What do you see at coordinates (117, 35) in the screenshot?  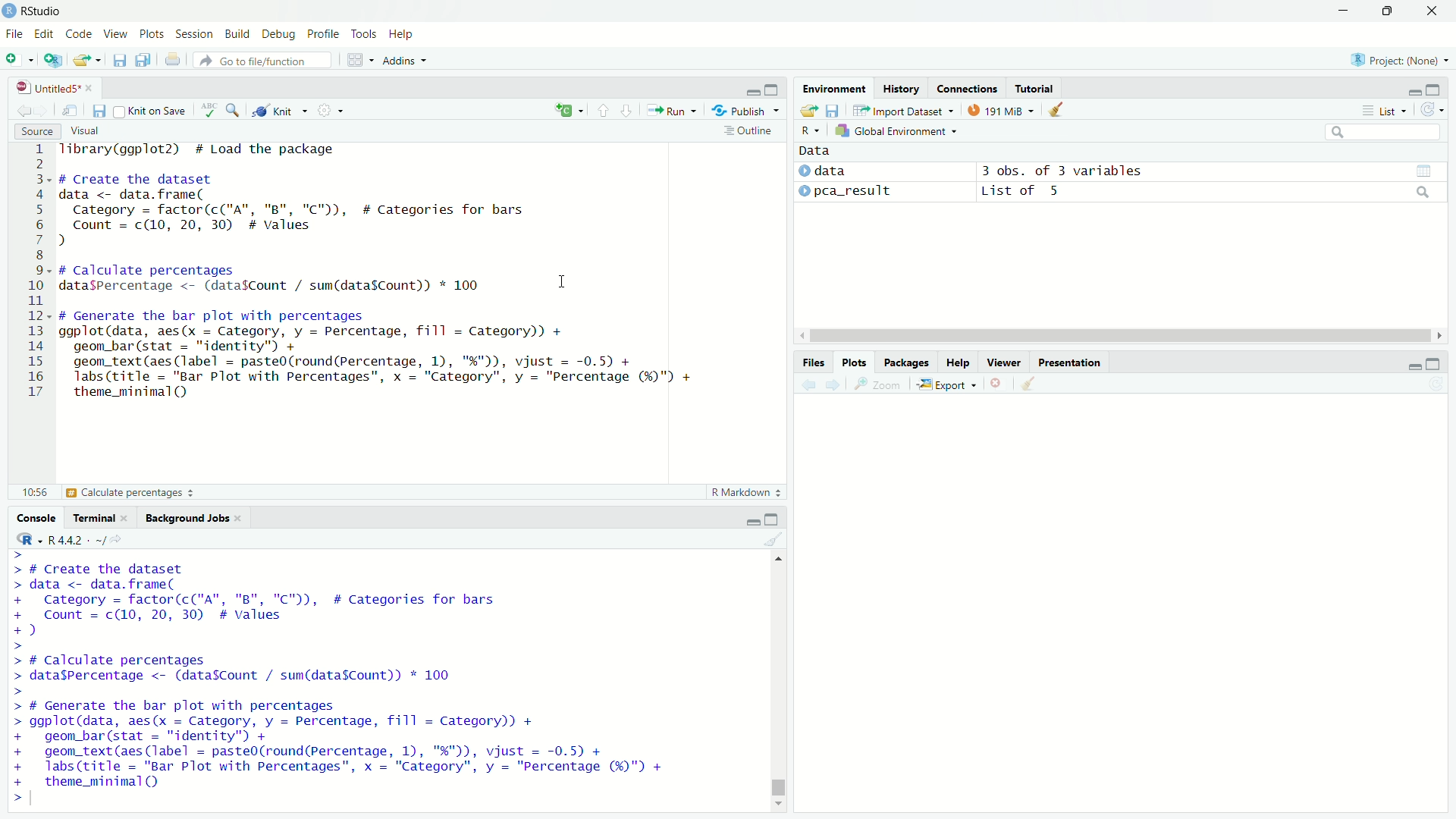 I see `View` at bounding box center [117, 35].